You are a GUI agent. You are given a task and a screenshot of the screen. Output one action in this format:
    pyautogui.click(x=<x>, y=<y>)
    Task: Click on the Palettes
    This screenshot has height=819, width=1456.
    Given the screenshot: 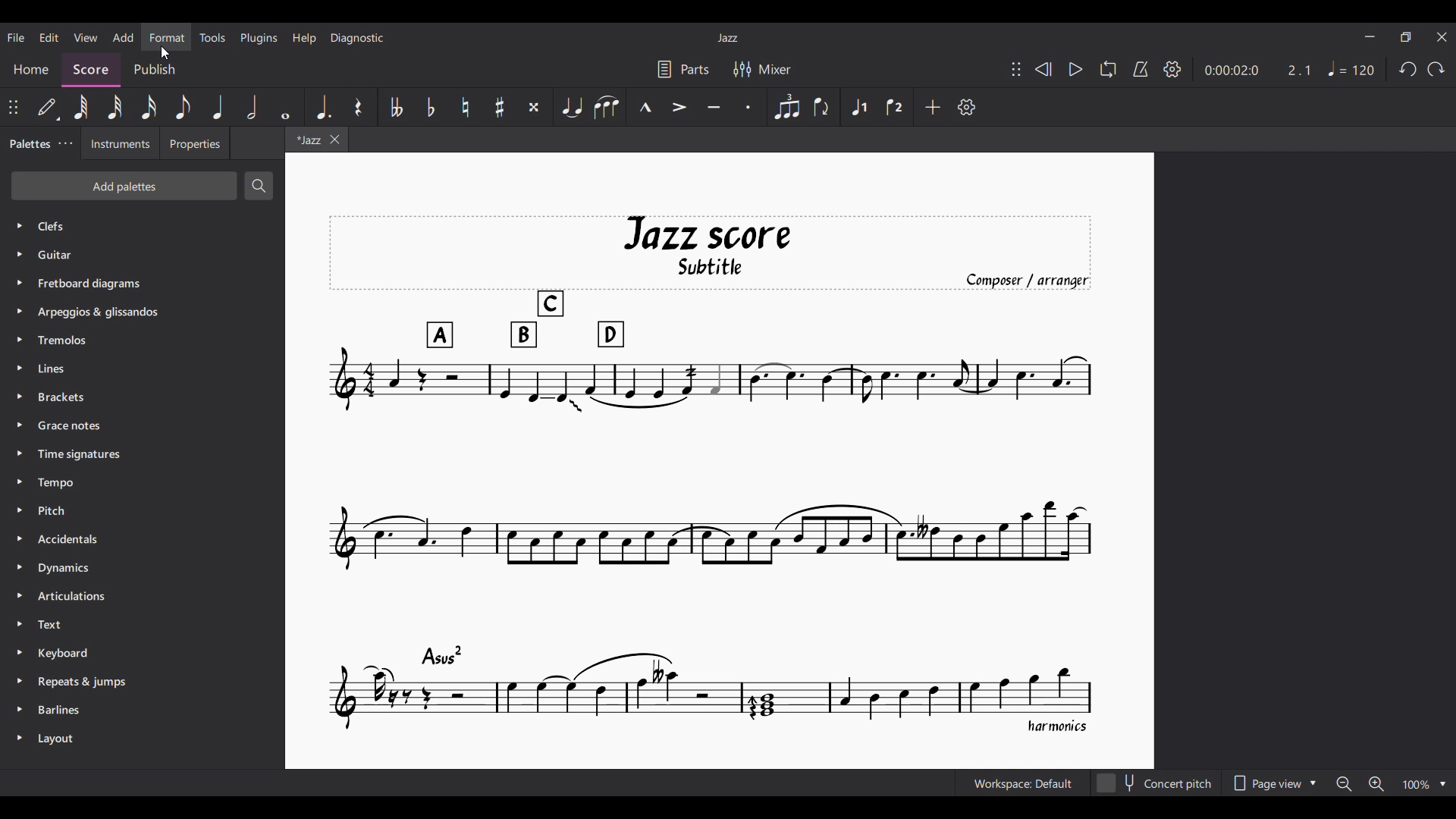 What is the action you would take?
    pyautogui.click(x=31, y=144)
    